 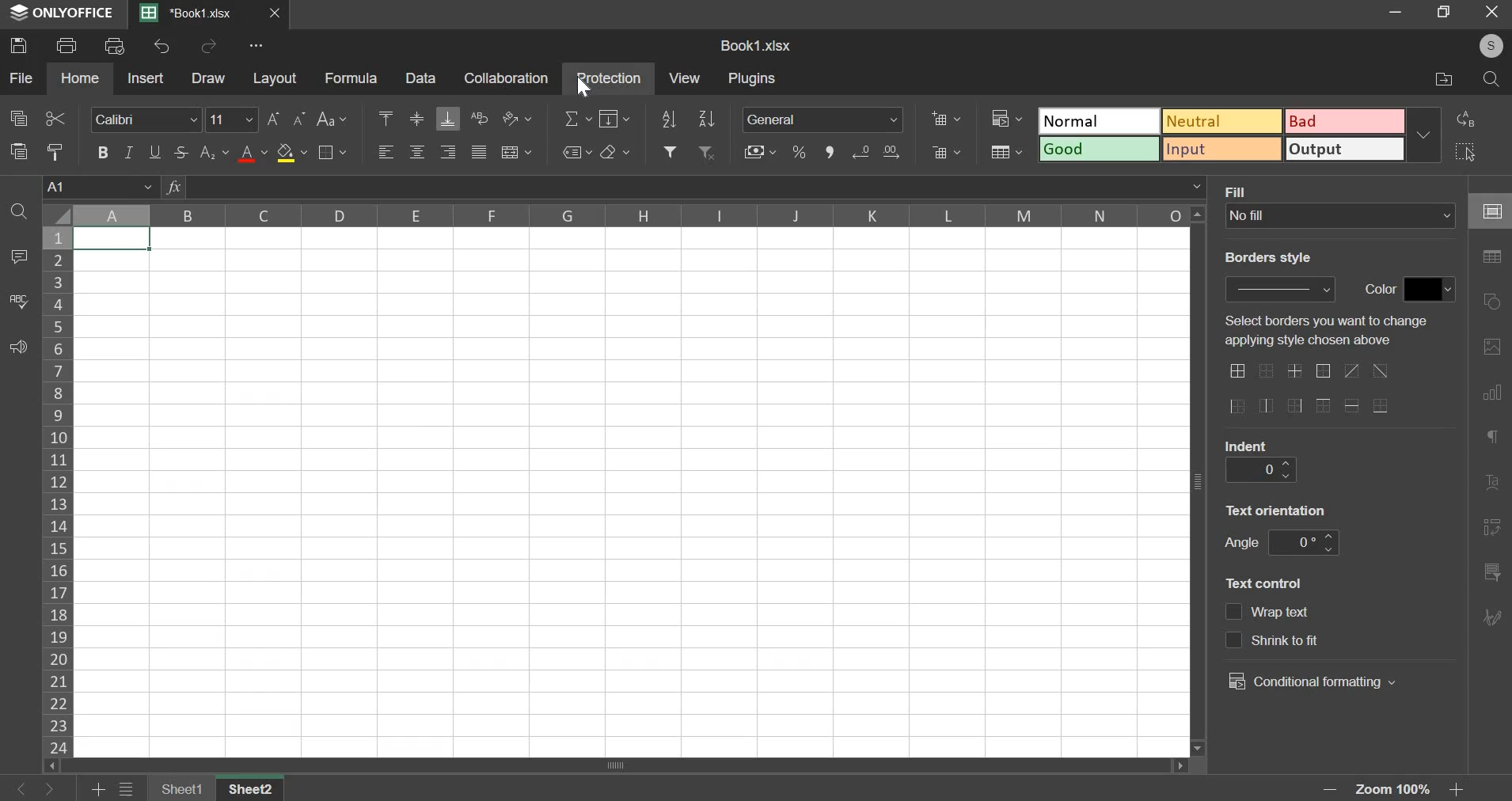 I want to click on text control, so click(x=1284, y=613).